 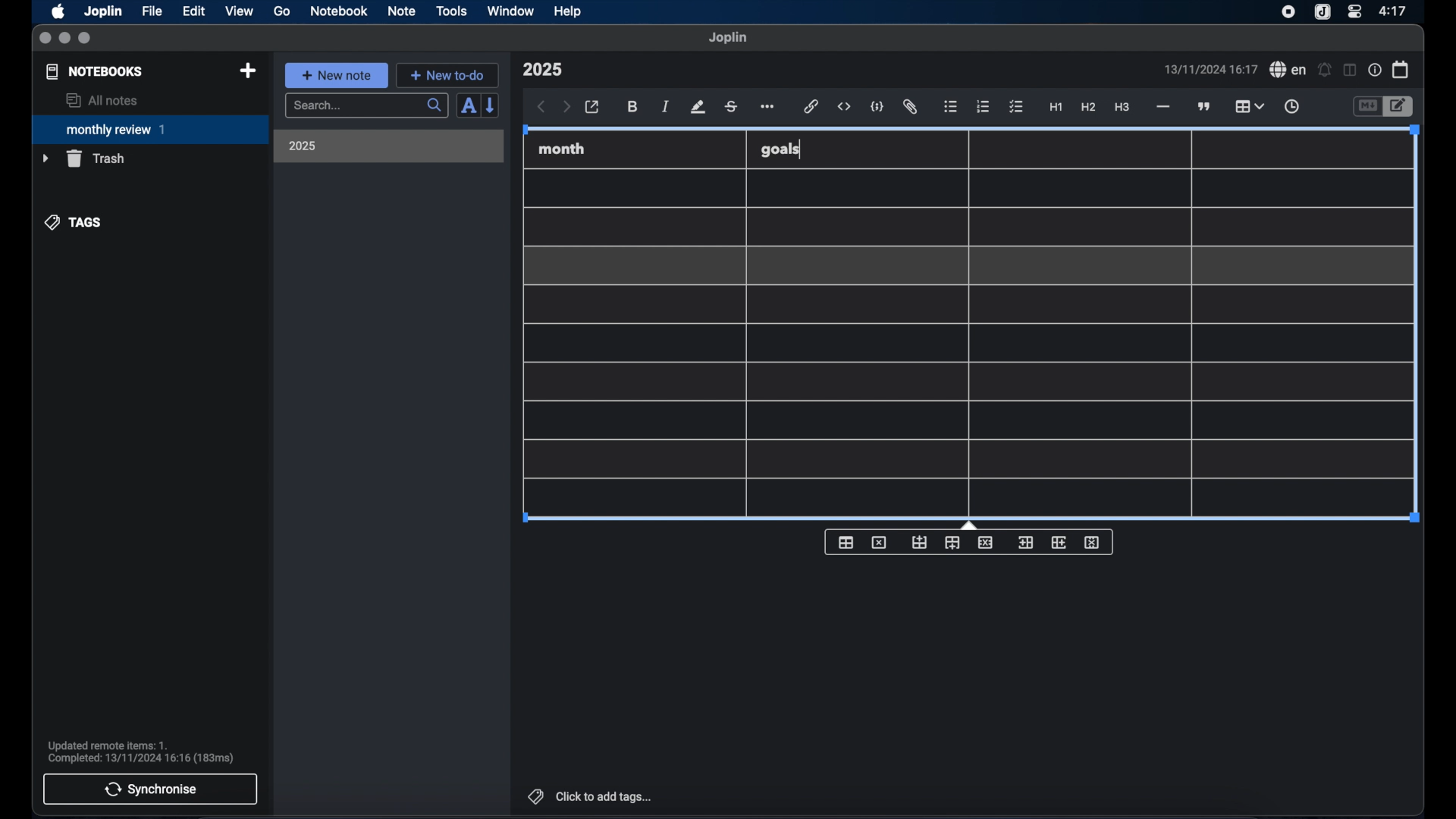 What do you see at coordinates (195, 11) in the screenshot?
I see `edit` at bounding box center [195, 11].